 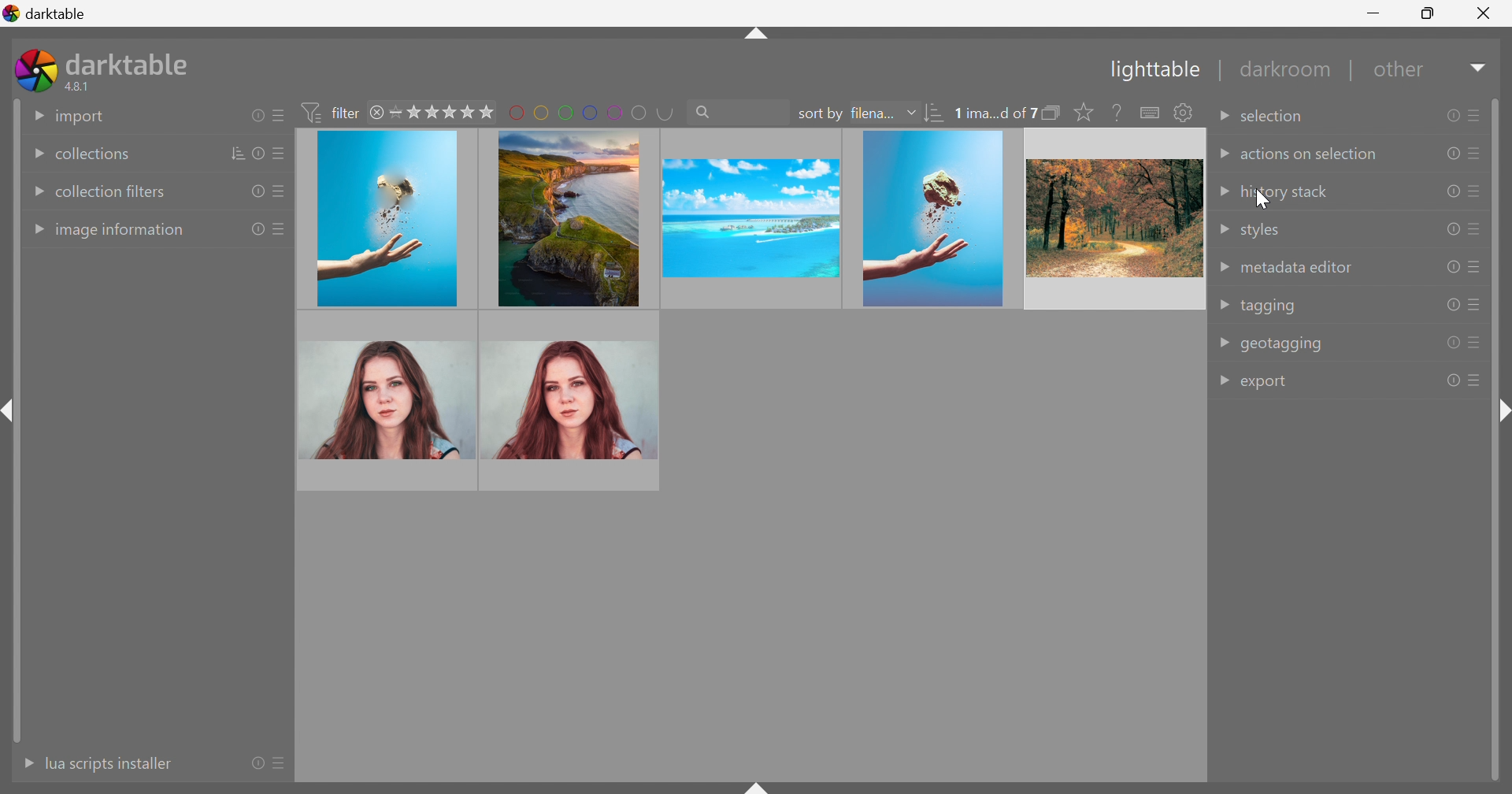 What do you see at coordinates (31, 155) in the screenshot?
I see `Drop Down` at bounding box center [31, 155].